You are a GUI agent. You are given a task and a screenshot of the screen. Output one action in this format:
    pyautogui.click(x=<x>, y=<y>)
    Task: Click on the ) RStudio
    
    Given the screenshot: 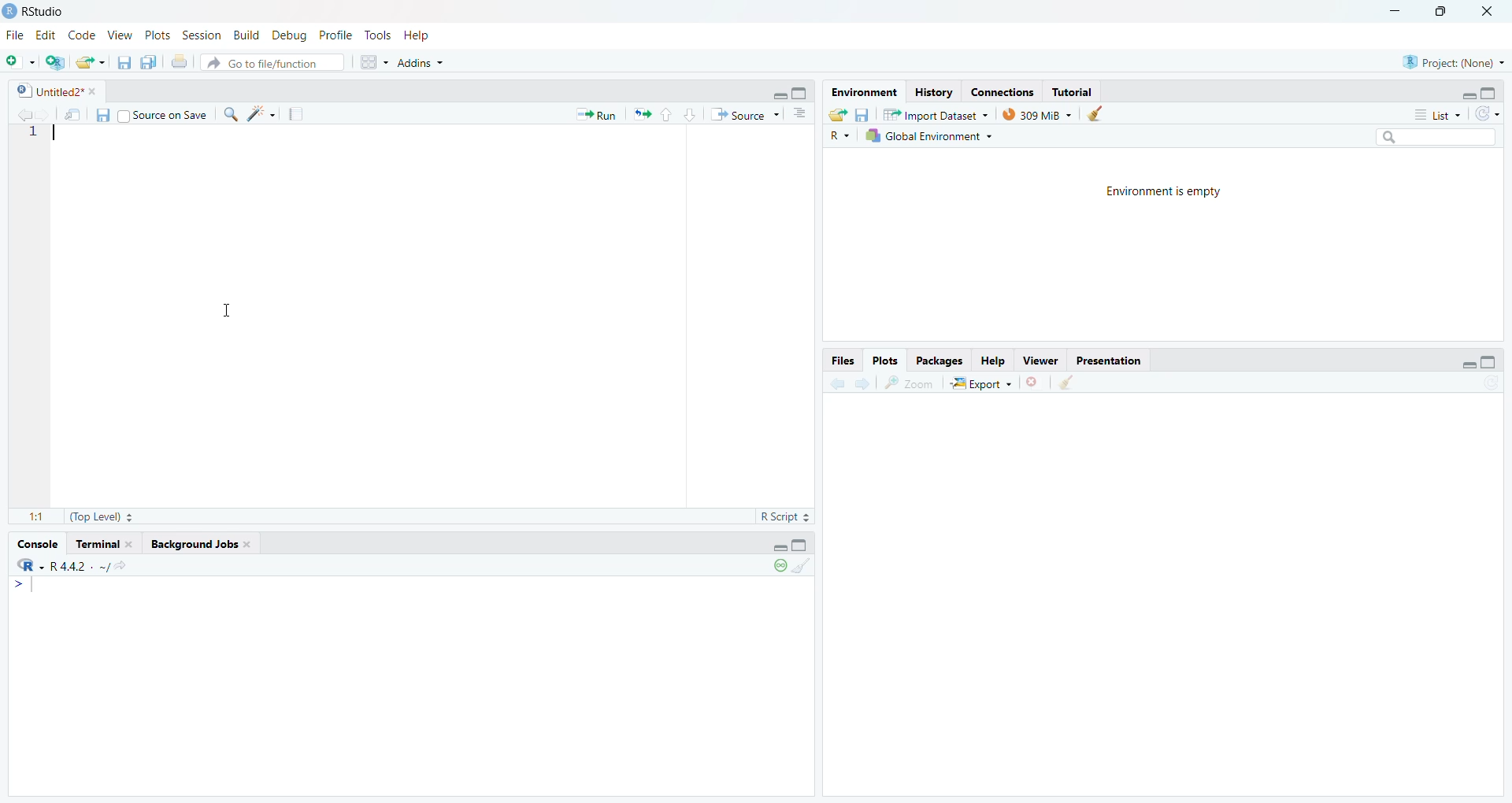 What is the action you would take?
    pyautogui.click(x=38, y=11)
    